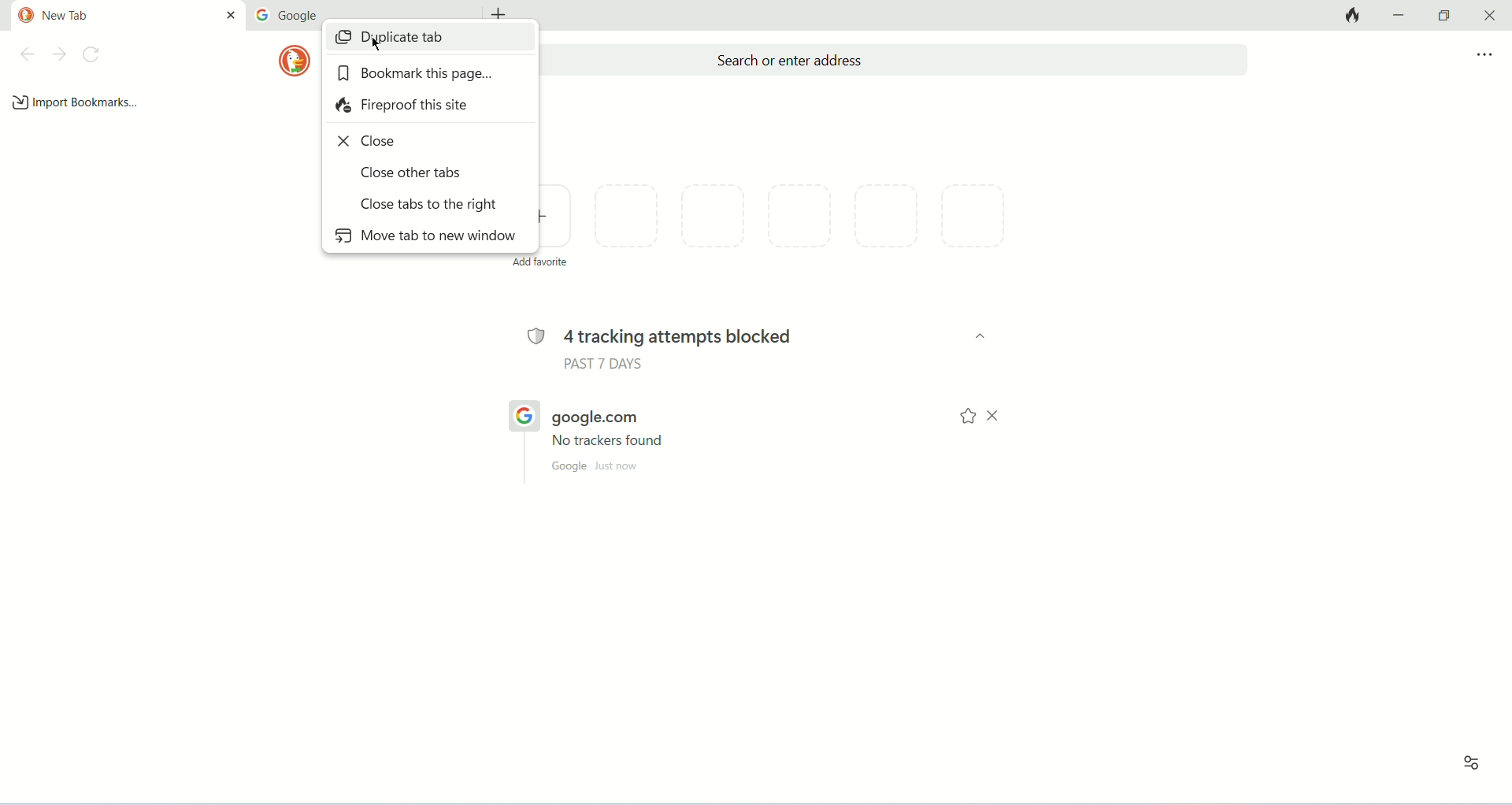 This screenshot has height=805, width=1512. Describe the element at coordinates (262, 16) in the screenshot. I see `google logo` at that location.